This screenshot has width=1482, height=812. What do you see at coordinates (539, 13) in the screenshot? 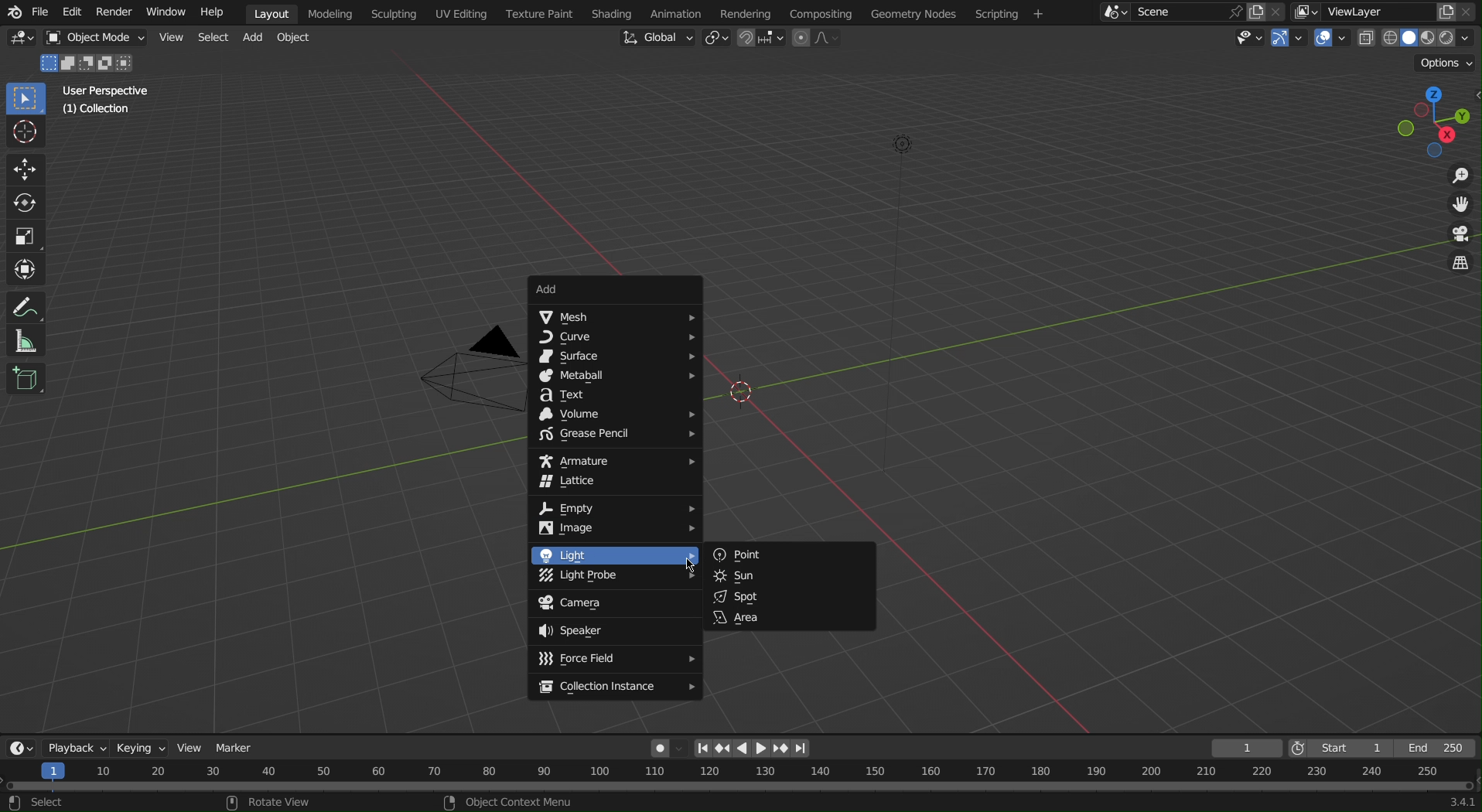
I see `Texture Paint` at bounding box center [539, 13].